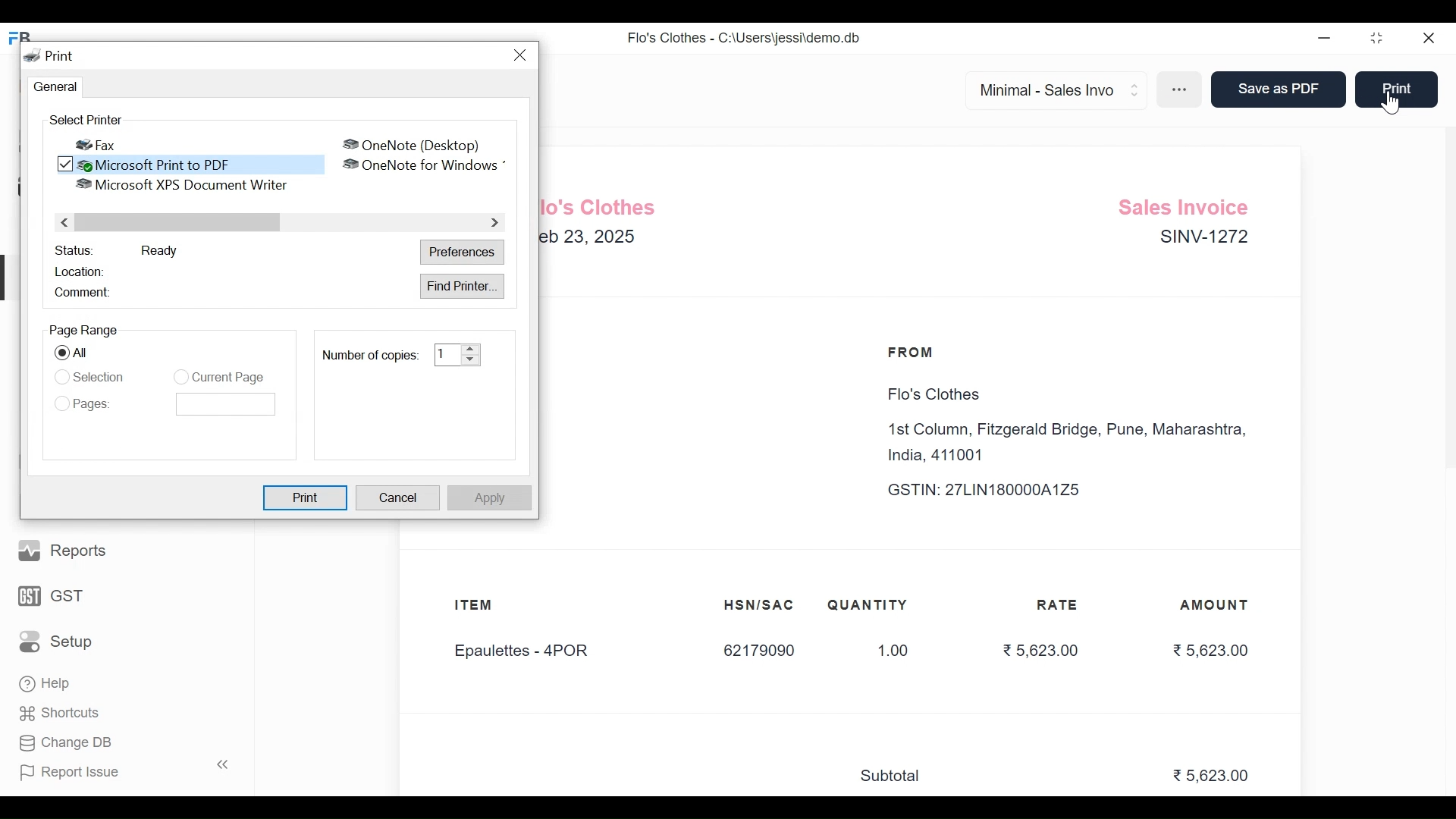 This screenshot has height=819, width=1456. I want to click on ' Shortcuts, so click(64, 713).